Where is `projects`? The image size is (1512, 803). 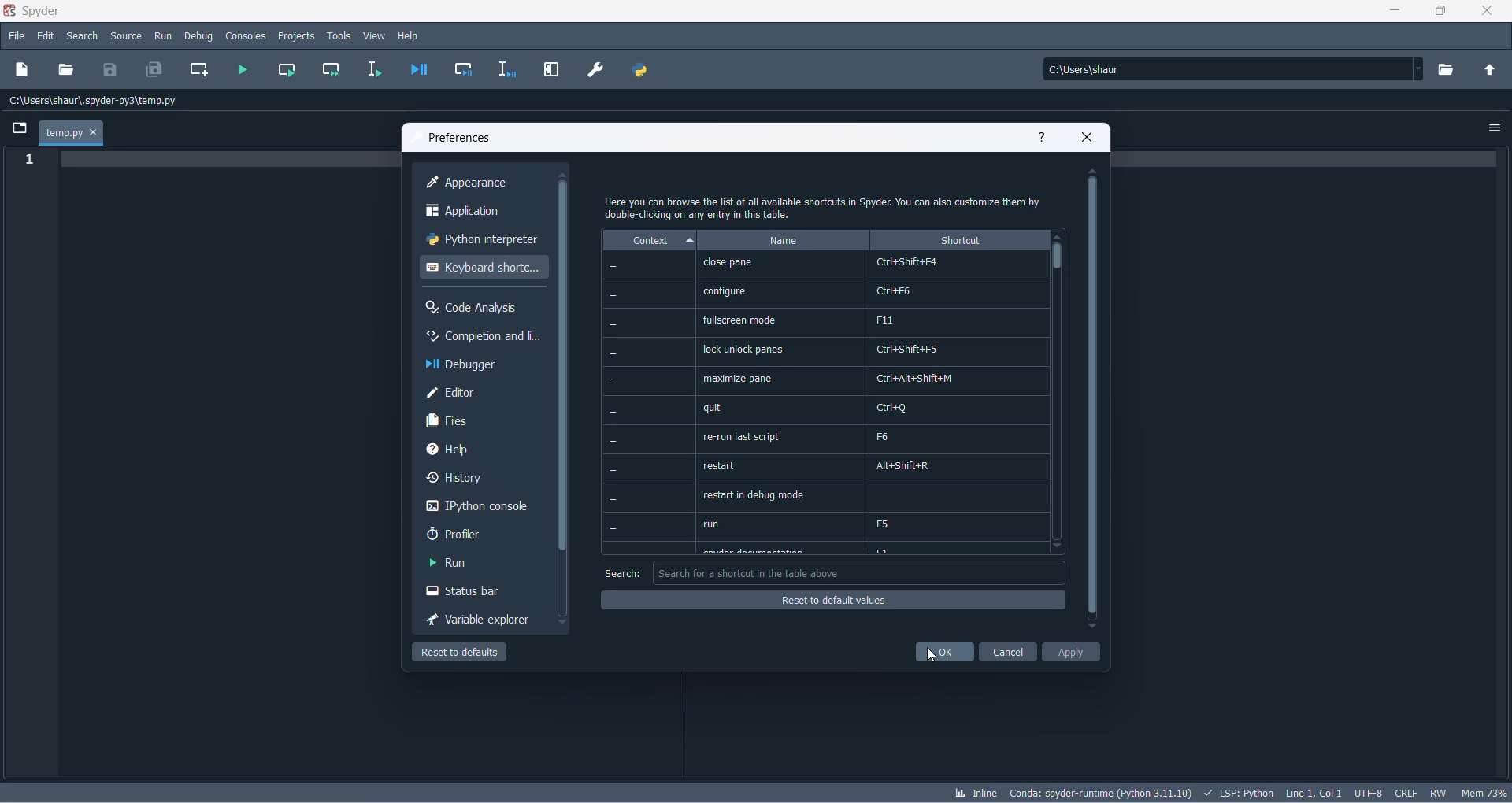
projects is located at coordinates (295, 36).